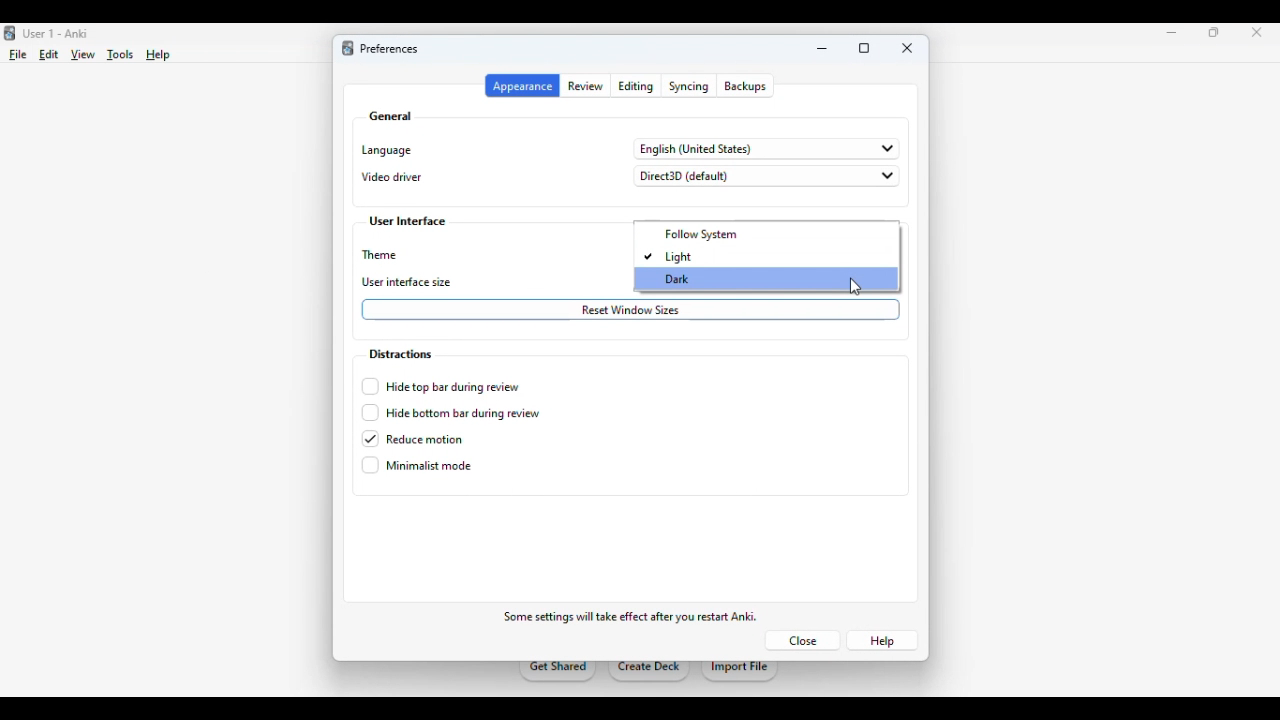 This screenshot has width=1280, height=720. What do you see at coordinates (864, 49) in the screenshot?
I see `maximize` at bounding box center [864, 49].